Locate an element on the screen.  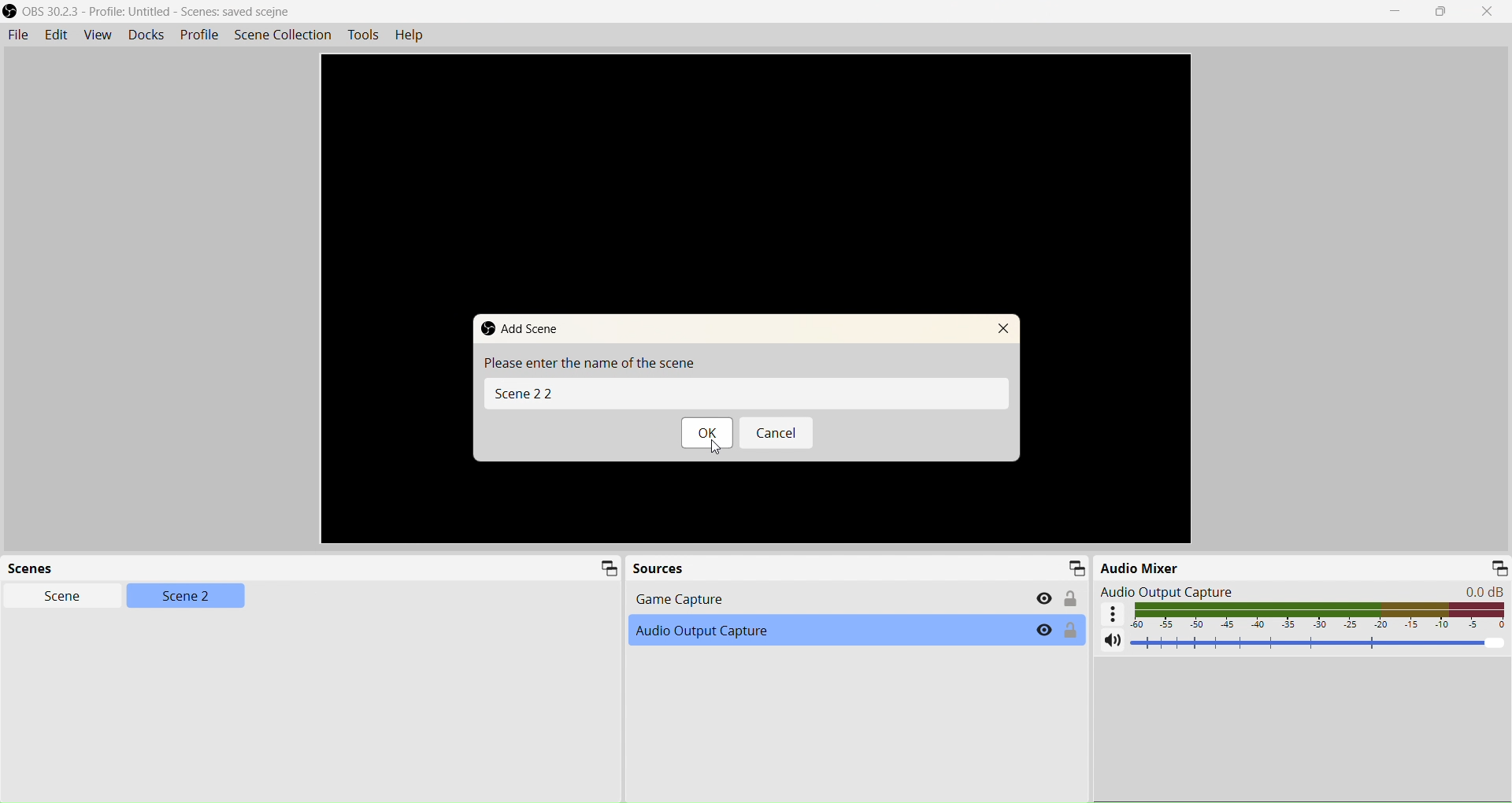
Audio Output Capture is located at coordinates (855, 629).